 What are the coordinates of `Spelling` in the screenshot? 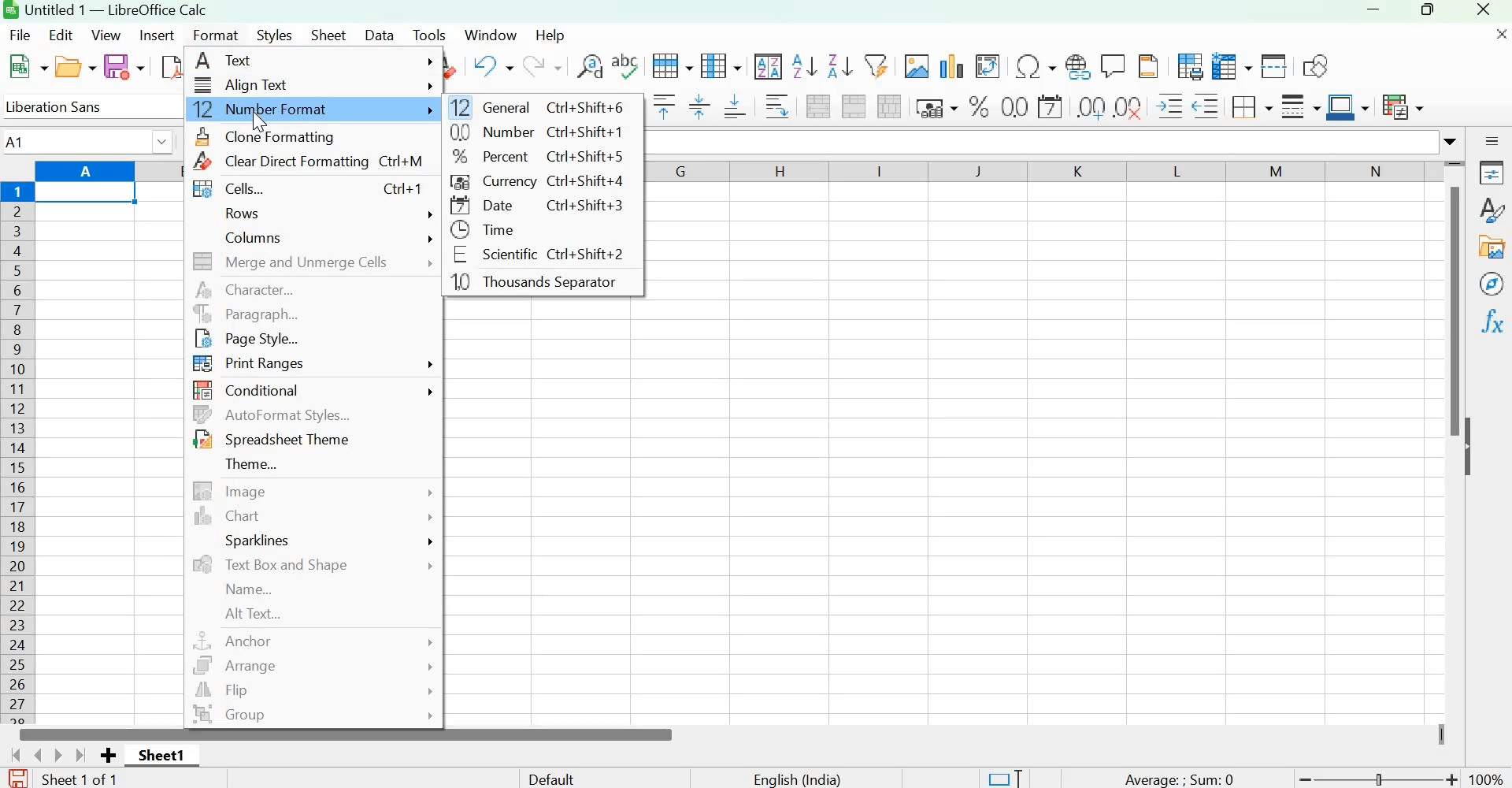 It's located at (626, 65).